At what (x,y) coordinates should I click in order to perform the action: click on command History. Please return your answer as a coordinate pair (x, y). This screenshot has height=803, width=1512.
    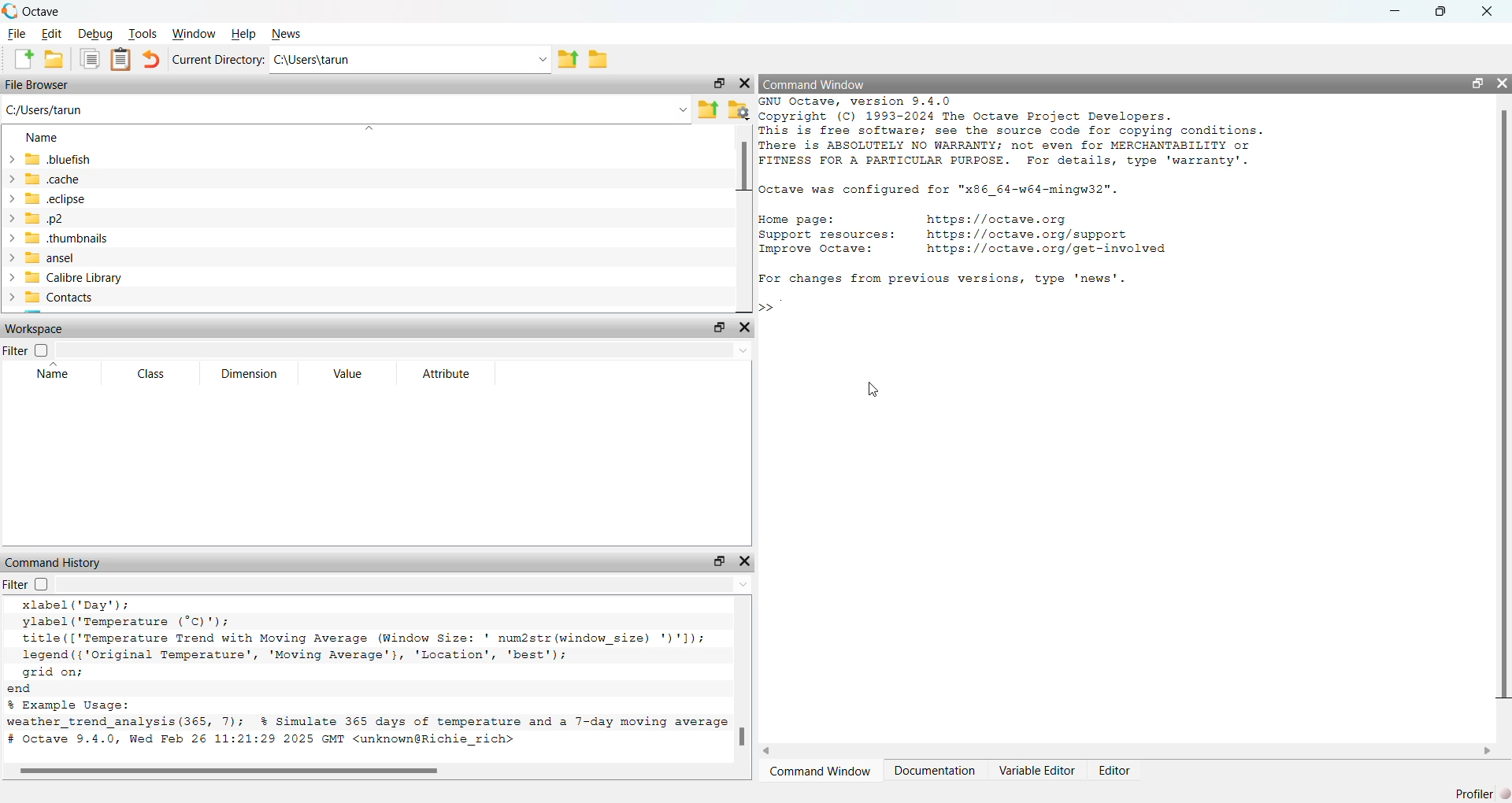
    Looking at the image, I should click on (56, 563).